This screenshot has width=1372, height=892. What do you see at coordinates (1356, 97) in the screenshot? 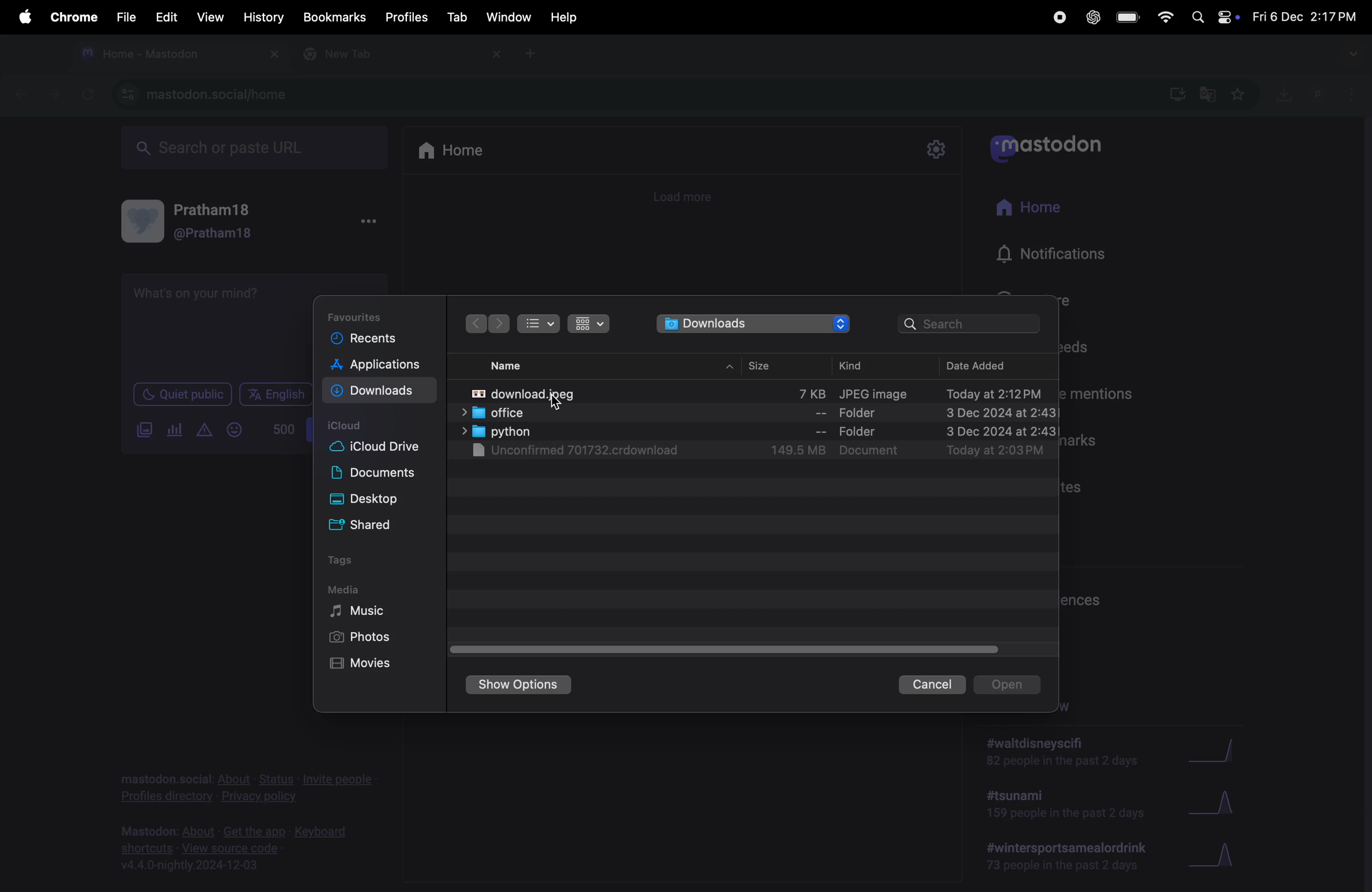
I see `options` at bounding box center [1356, 97].